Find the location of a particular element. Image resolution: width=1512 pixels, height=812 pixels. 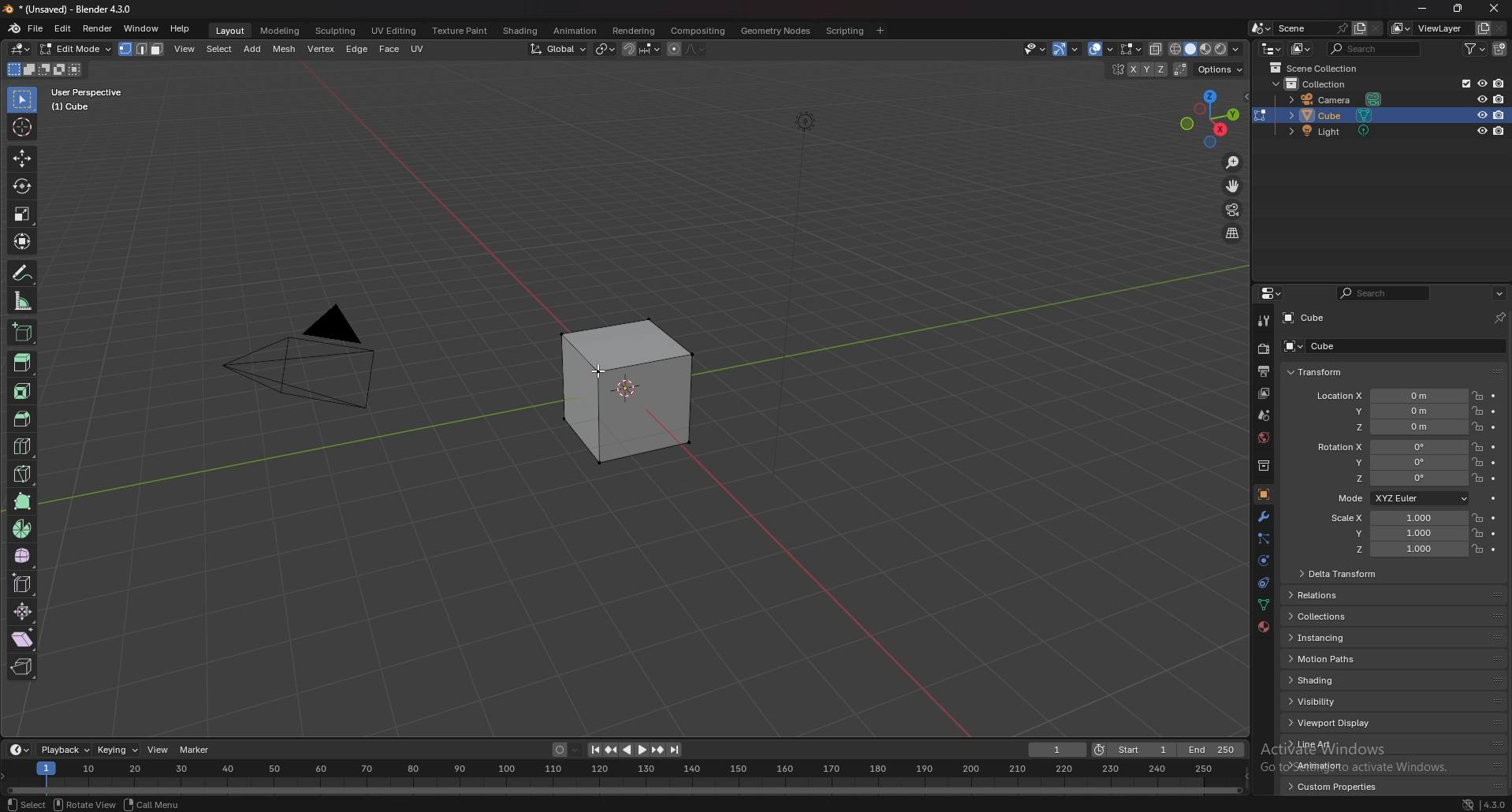

shading is located at coordinates (1347, 679).